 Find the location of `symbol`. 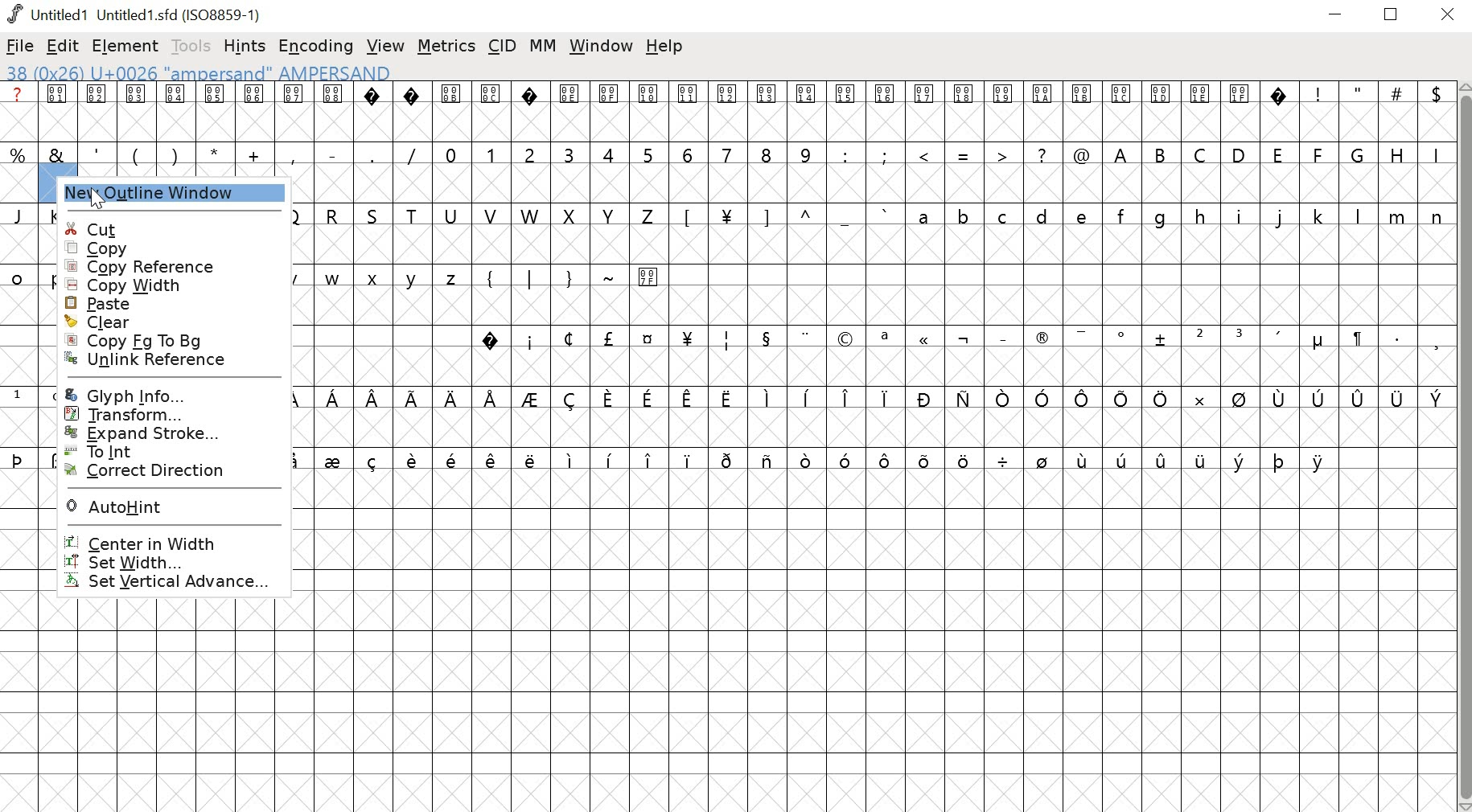

symbol is located at coordinates (451, 399).